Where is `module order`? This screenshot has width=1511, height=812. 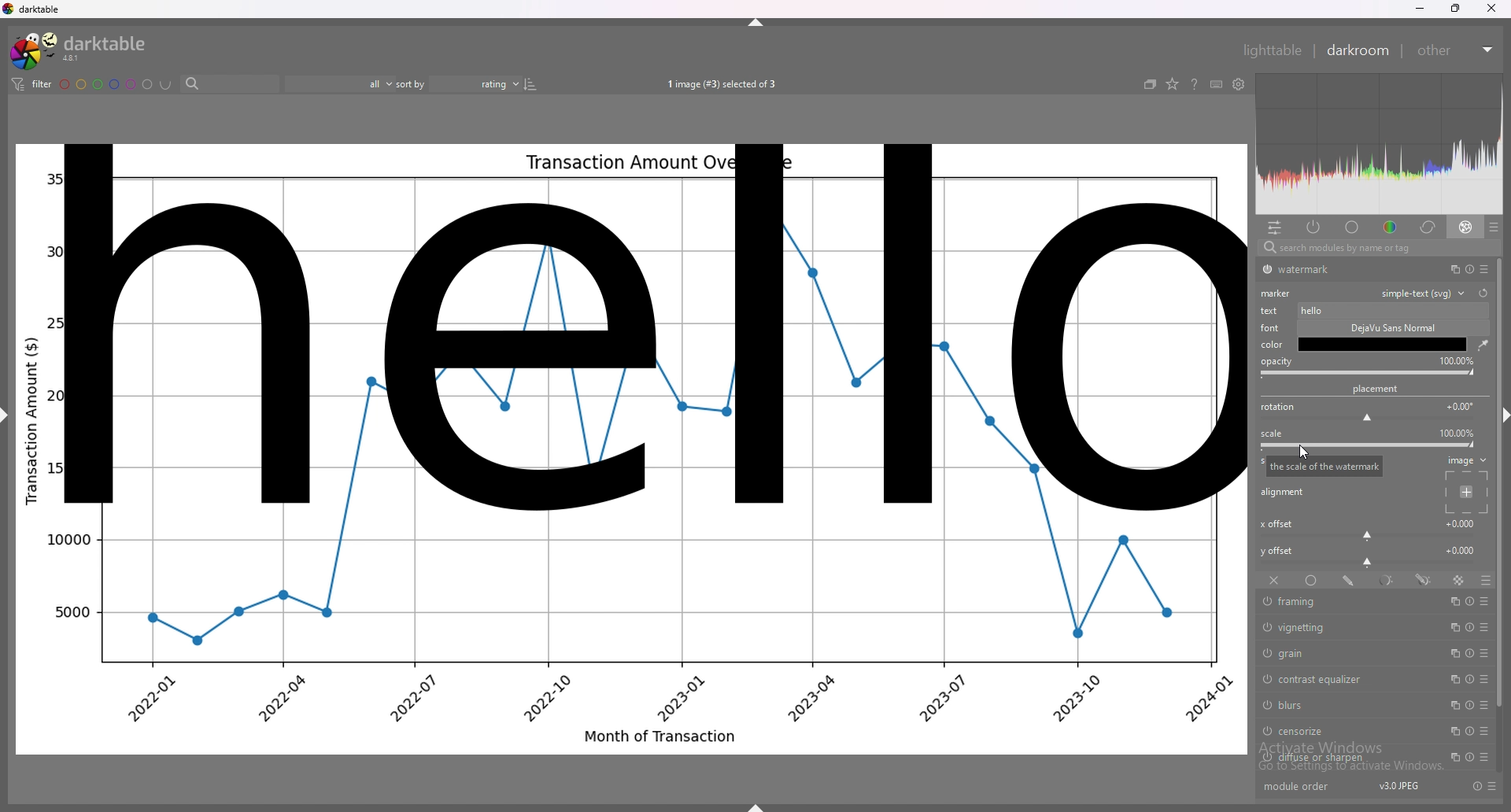
module order is located at coordinates (1304, 788).